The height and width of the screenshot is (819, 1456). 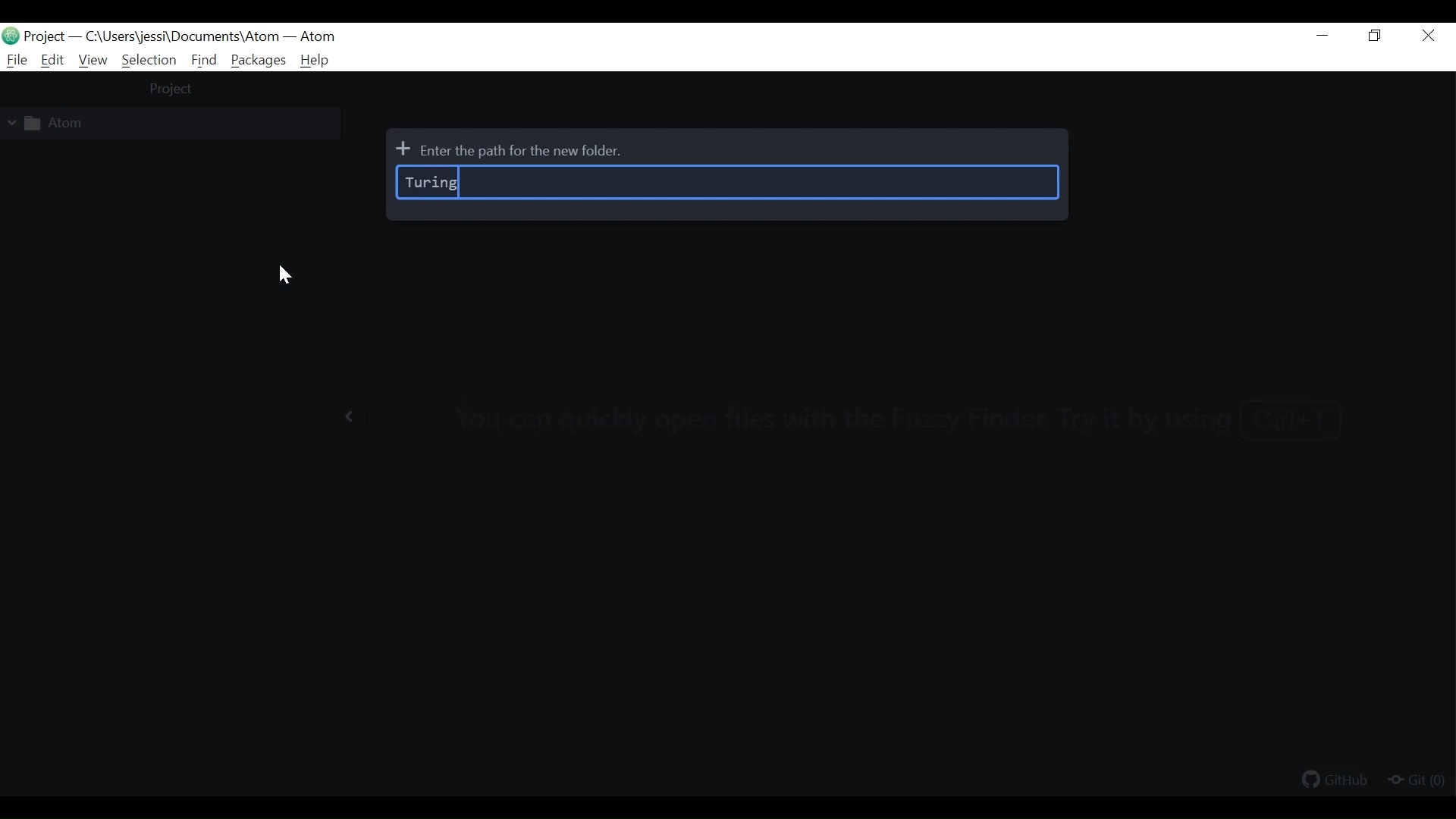 I want to click on you can quickly open files with the fuzzy finder. try it by using Ctrl+T, so click(x=907, y=420).